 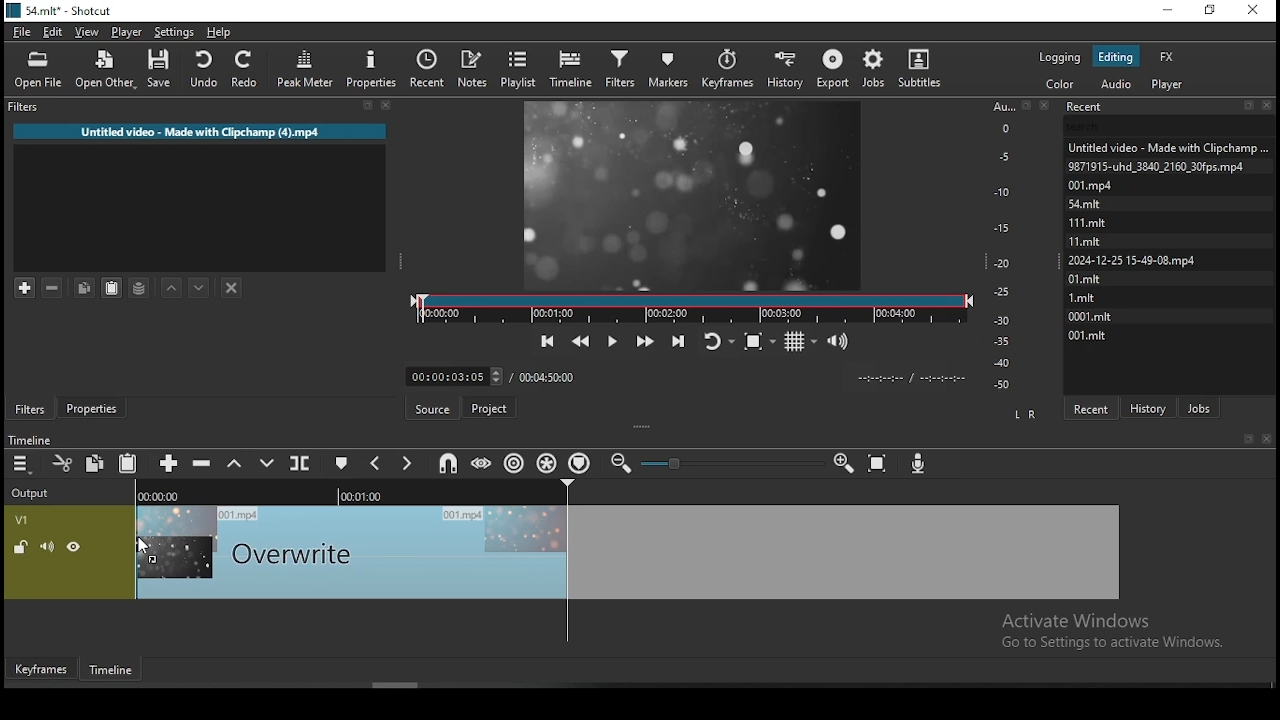 I want to click on edit track time, so click(x=453, y=376).